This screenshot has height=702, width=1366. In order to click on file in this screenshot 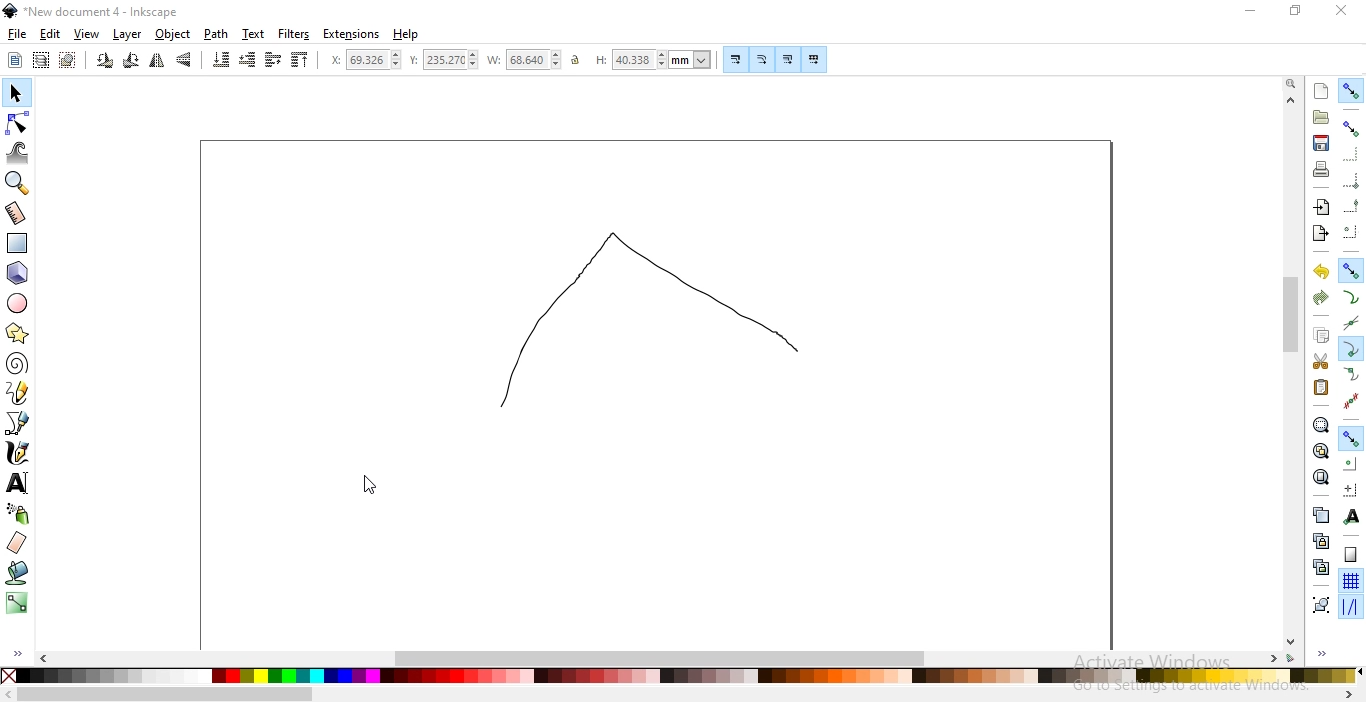, I will do `click(17, 34)`.